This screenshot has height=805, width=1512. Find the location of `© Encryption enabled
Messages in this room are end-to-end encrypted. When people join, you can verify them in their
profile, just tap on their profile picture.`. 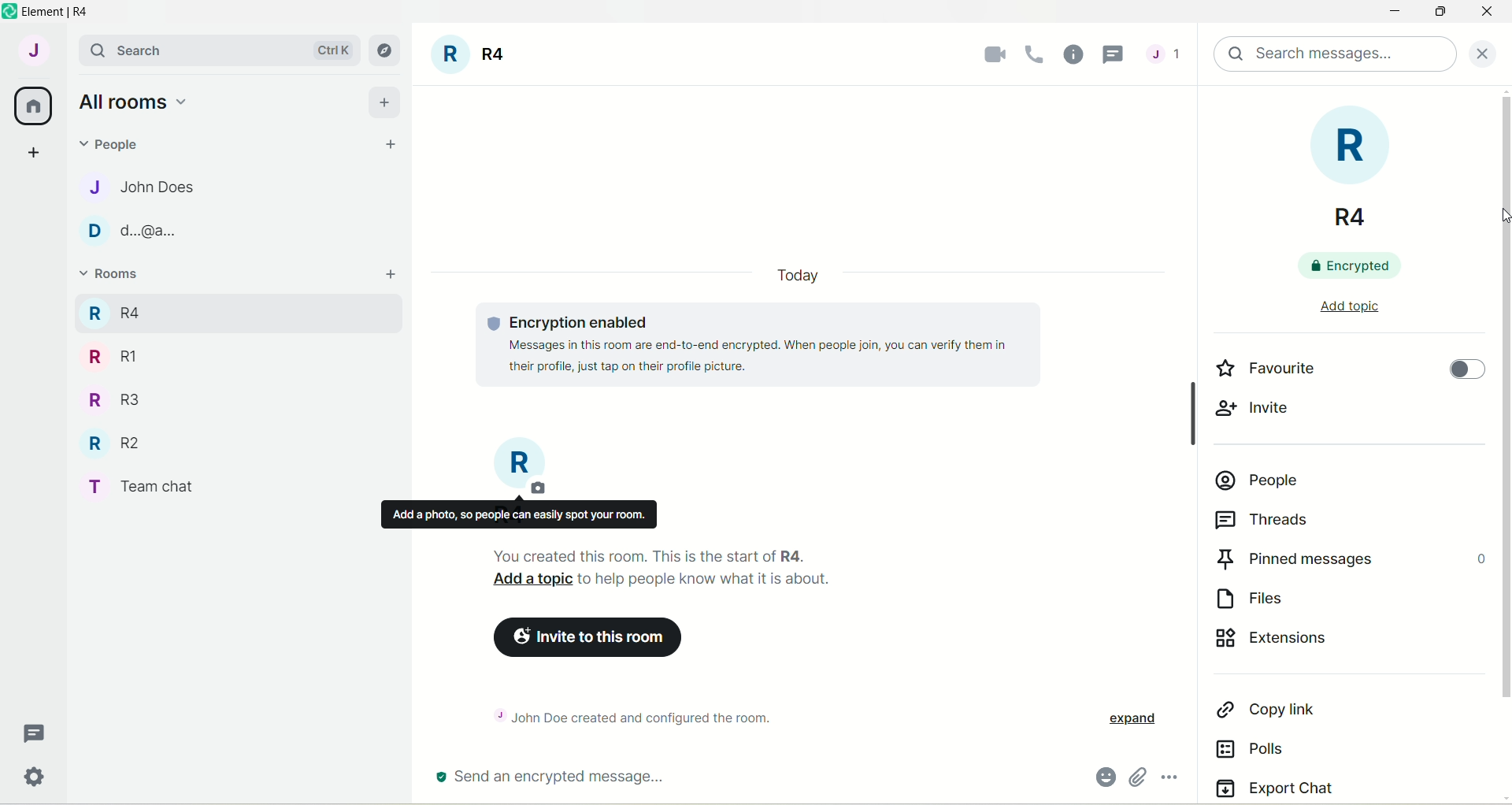

© Encryption enabled
Messages in this room are end-to-end encrypted. When people join, you can verify them in their
profile, just tap on their profile picture. is located at coordinates (770, 344).